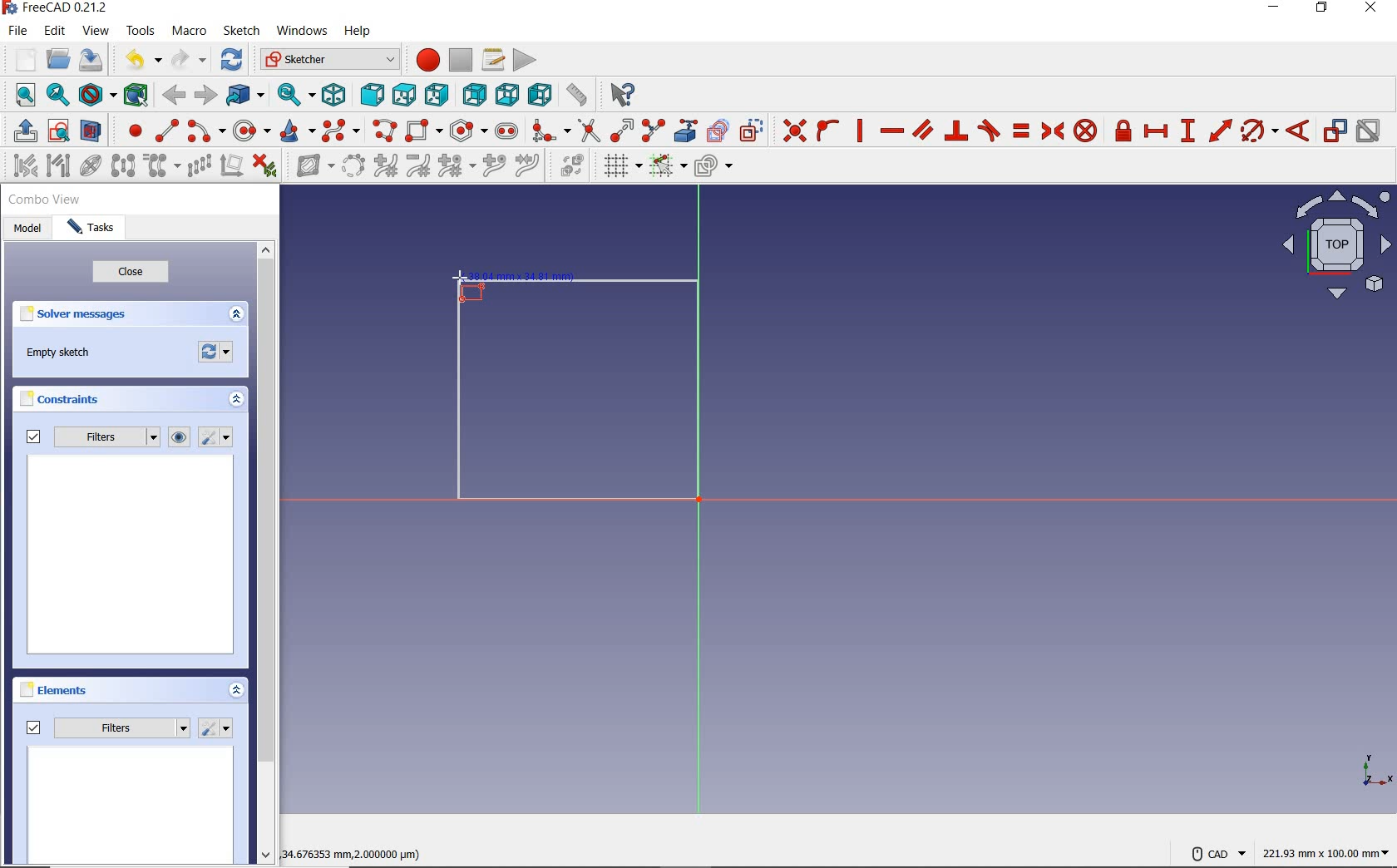 Image resolution: width=1397 pixels, height=868 pixels. I want to click on edit, so click(57, 31).